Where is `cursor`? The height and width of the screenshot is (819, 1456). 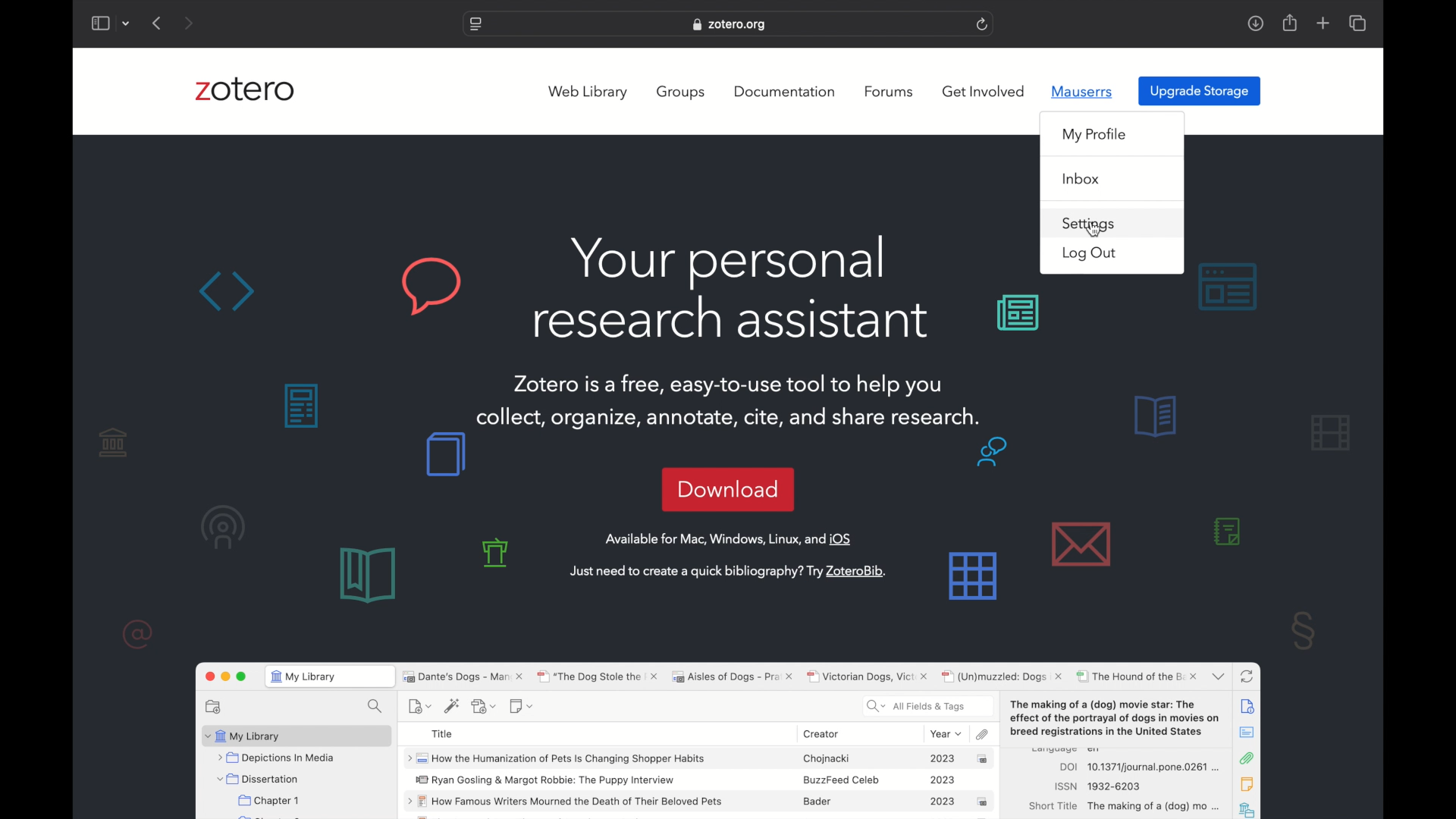
cursor is located at coordinates (1093, 228).